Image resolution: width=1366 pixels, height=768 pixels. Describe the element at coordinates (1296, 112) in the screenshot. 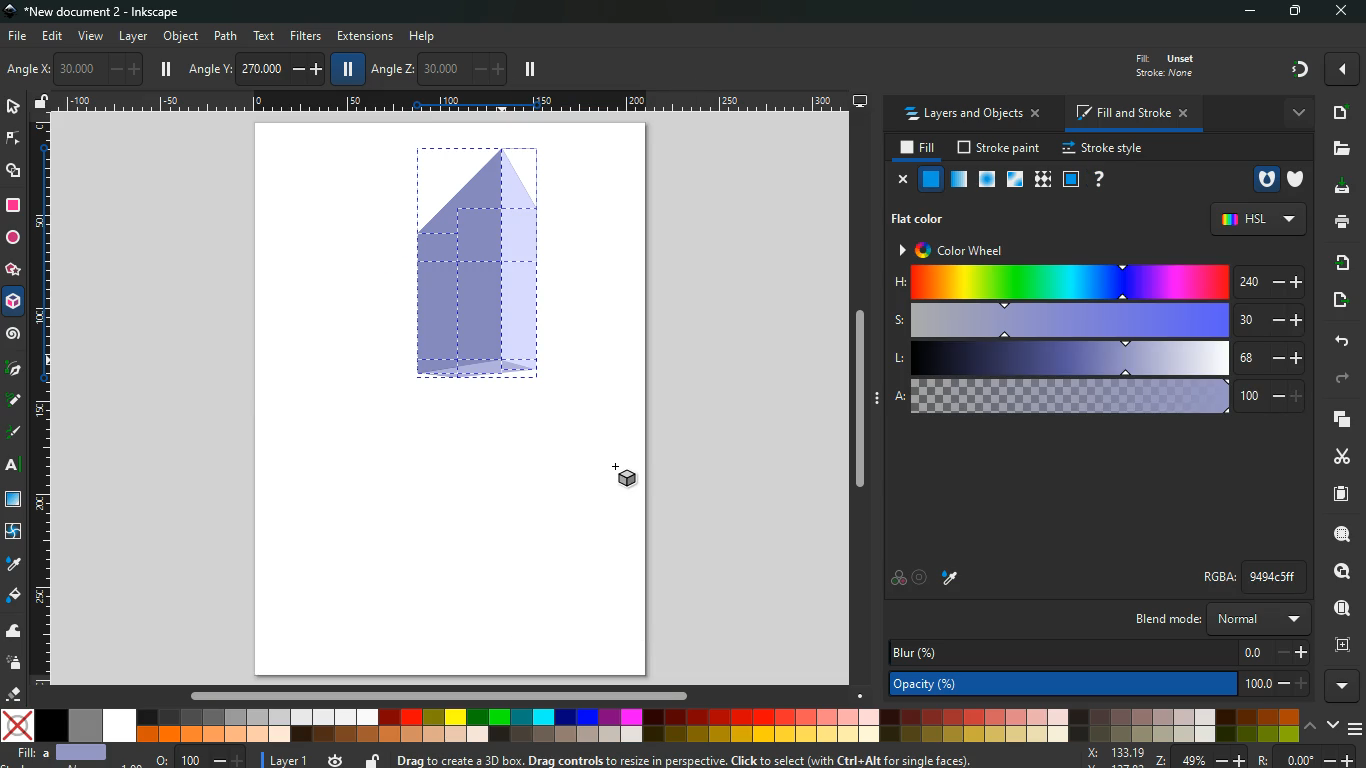

I see `more` at that location.